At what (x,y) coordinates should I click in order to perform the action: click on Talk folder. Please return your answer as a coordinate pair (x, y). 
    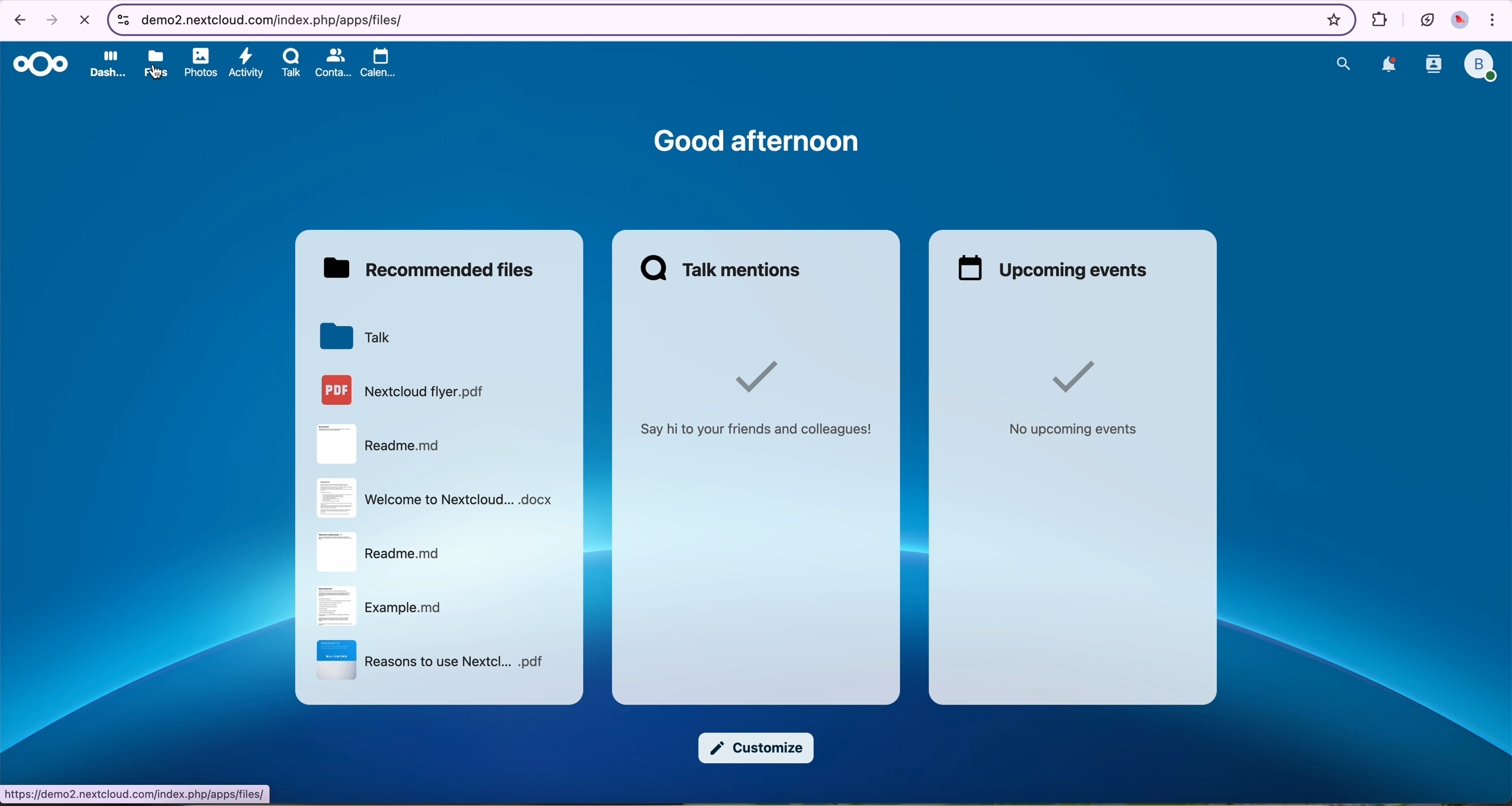
    Looking at the image, I should click on (356, 336).